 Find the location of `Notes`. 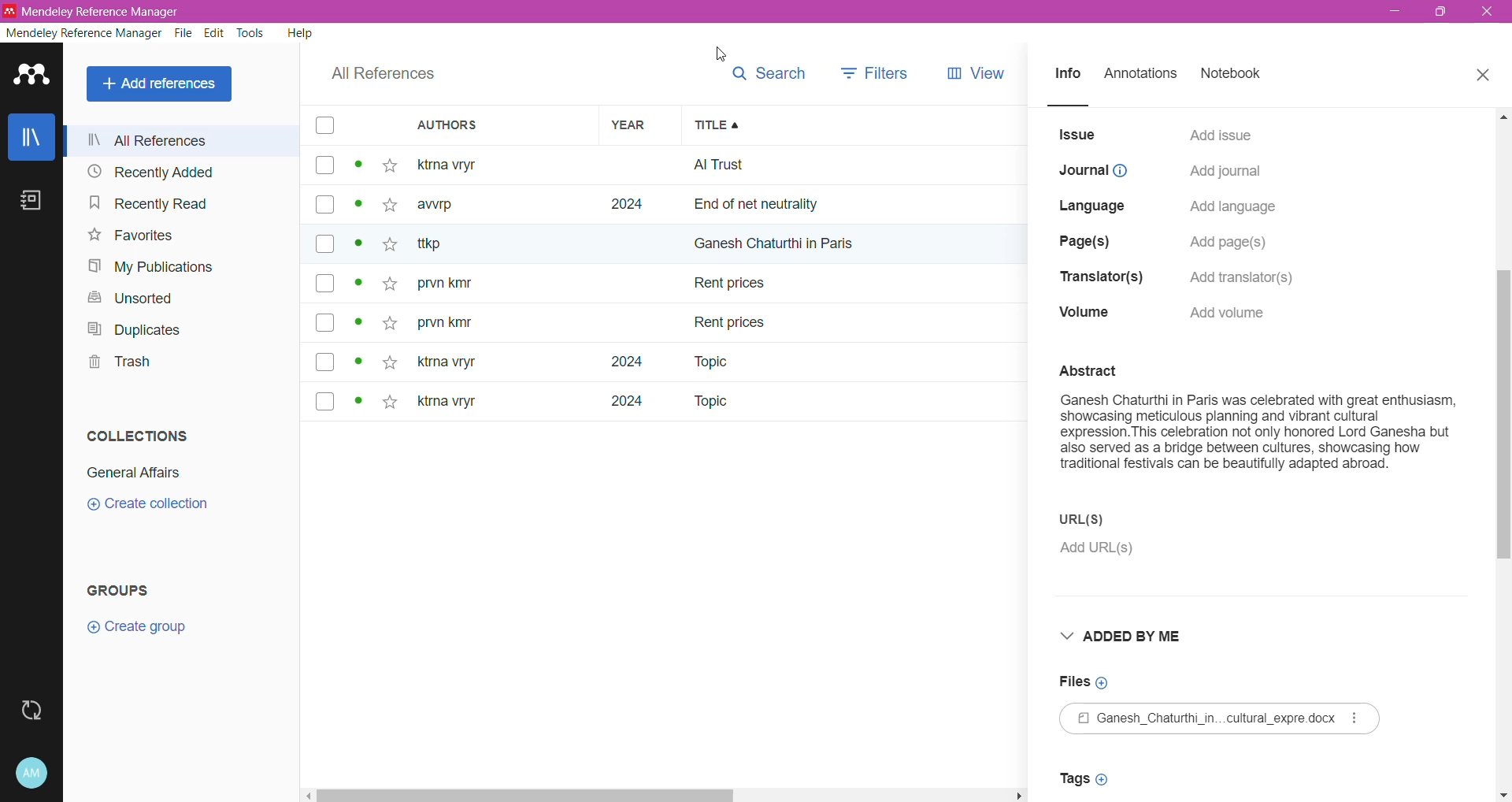

Notes is located at coordinates (29, 200).